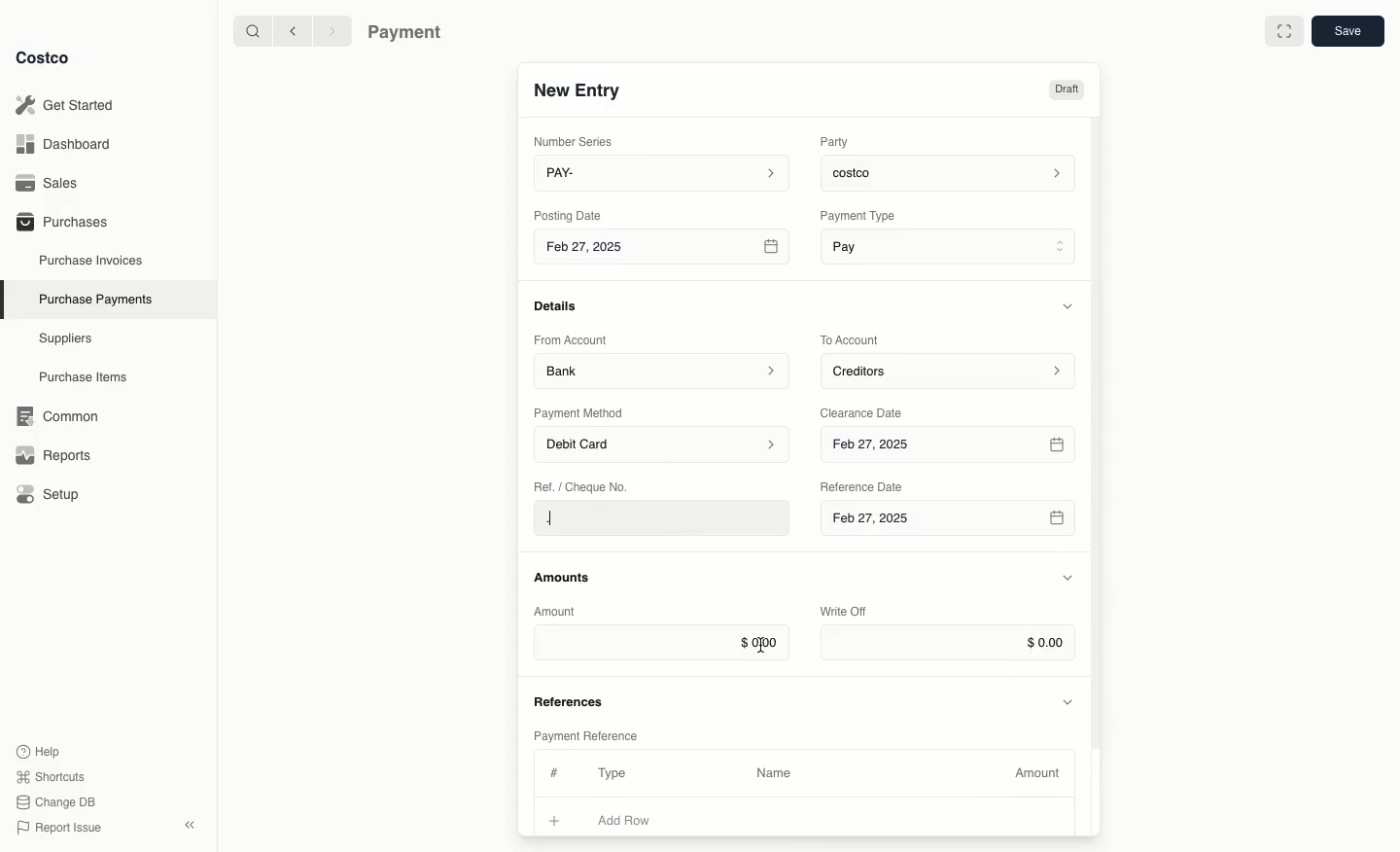 This screenshot has height=852, width=1400. Describe the element at coordinates (1067, 579) in the screenshot. I see `Hide` at that location.